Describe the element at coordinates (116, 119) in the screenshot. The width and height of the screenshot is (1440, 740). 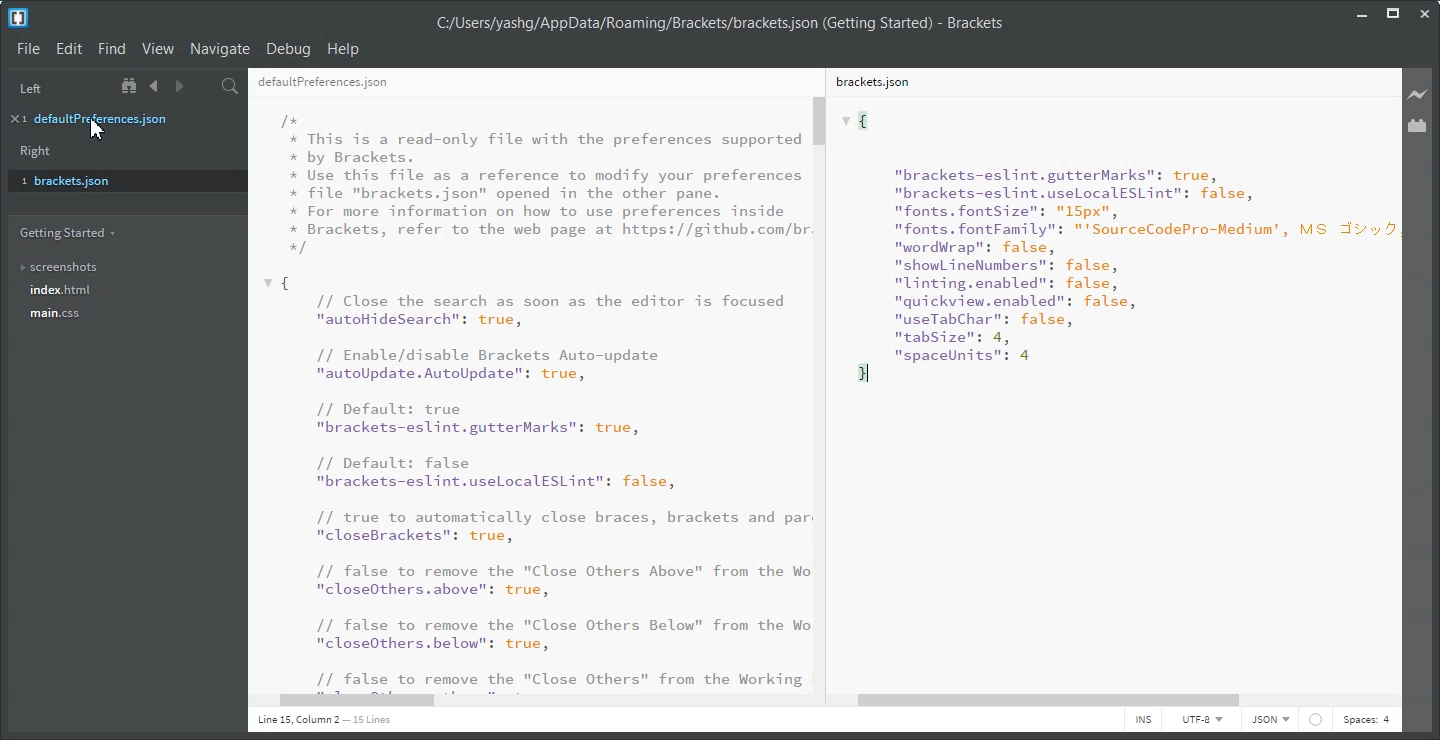
I see `defaultpreferences.json` at that location.